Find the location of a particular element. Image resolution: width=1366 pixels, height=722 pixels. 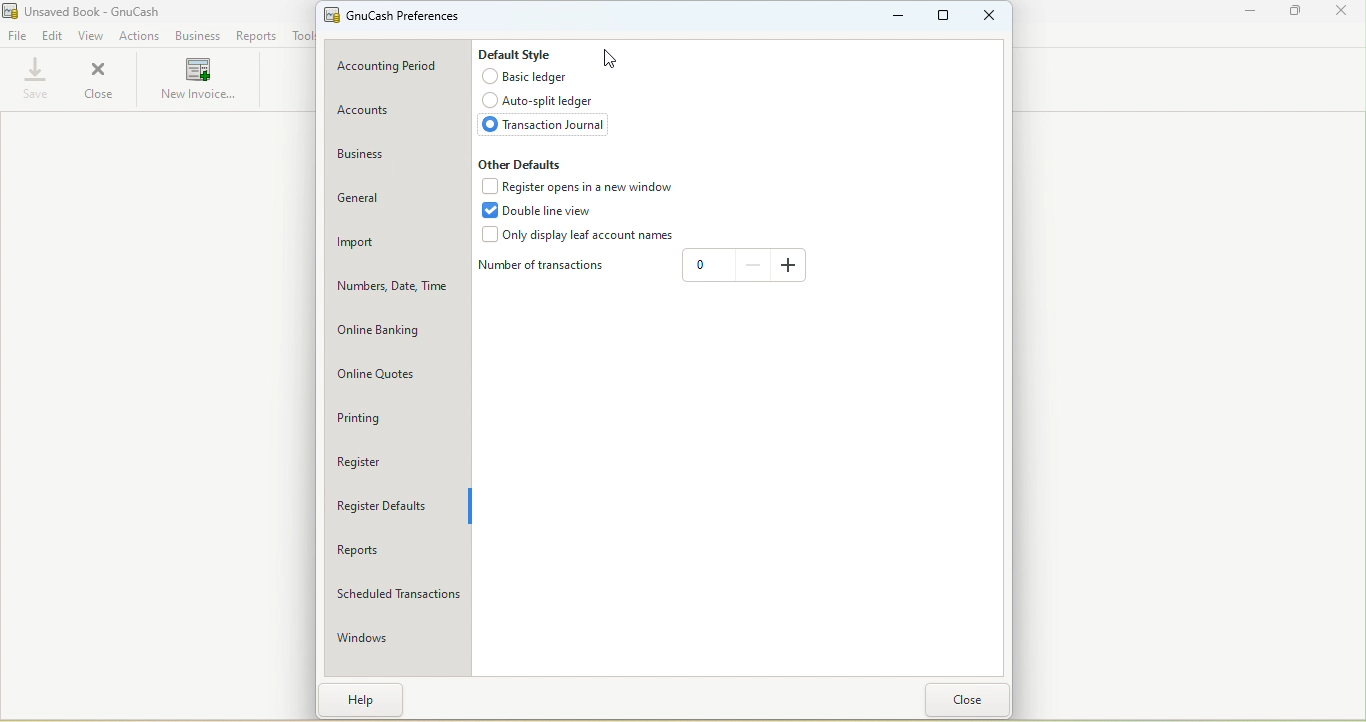

Printing is located at coordinates (396, 421).